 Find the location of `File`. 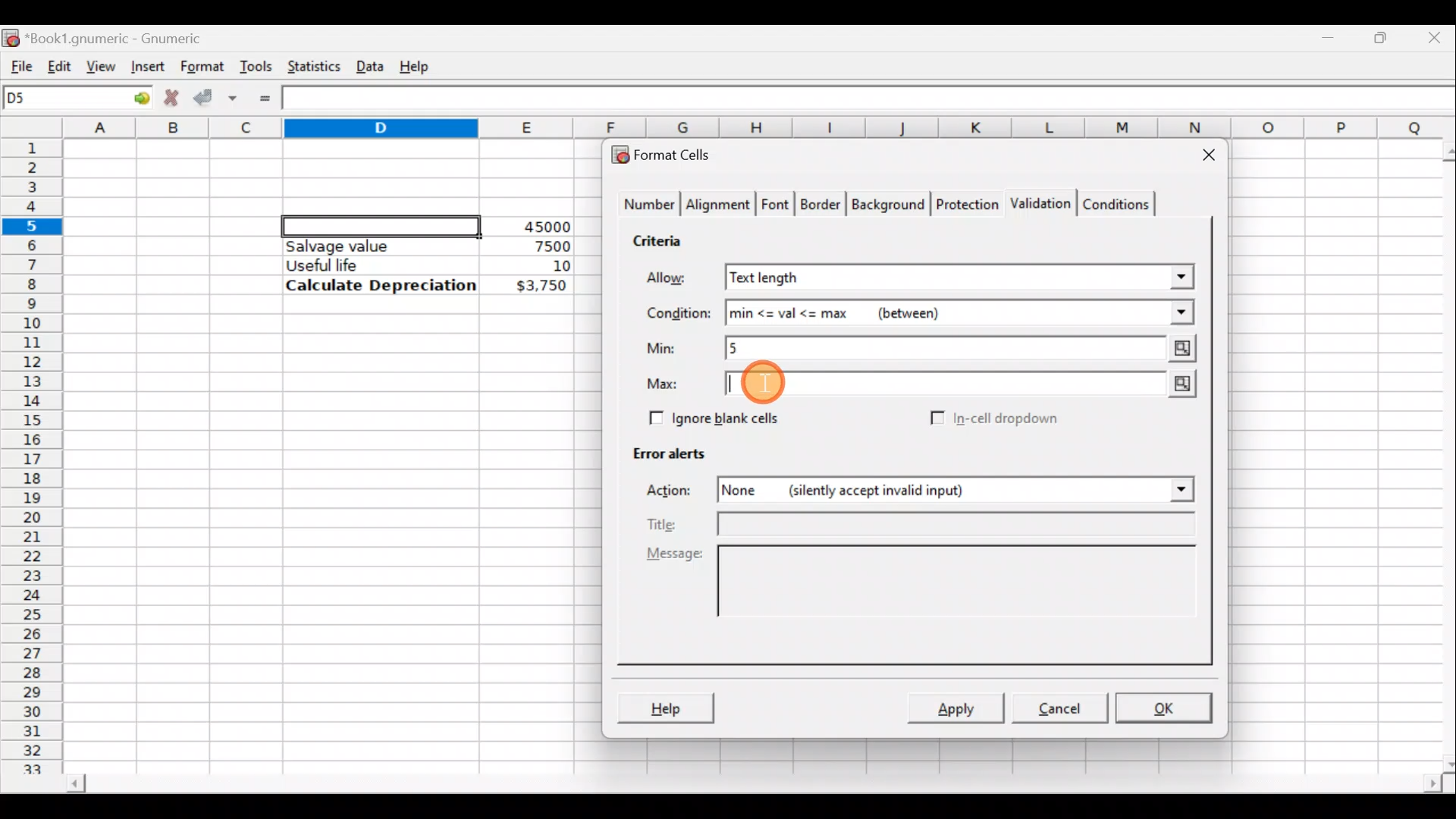

File is located at coordinates (17, 63).